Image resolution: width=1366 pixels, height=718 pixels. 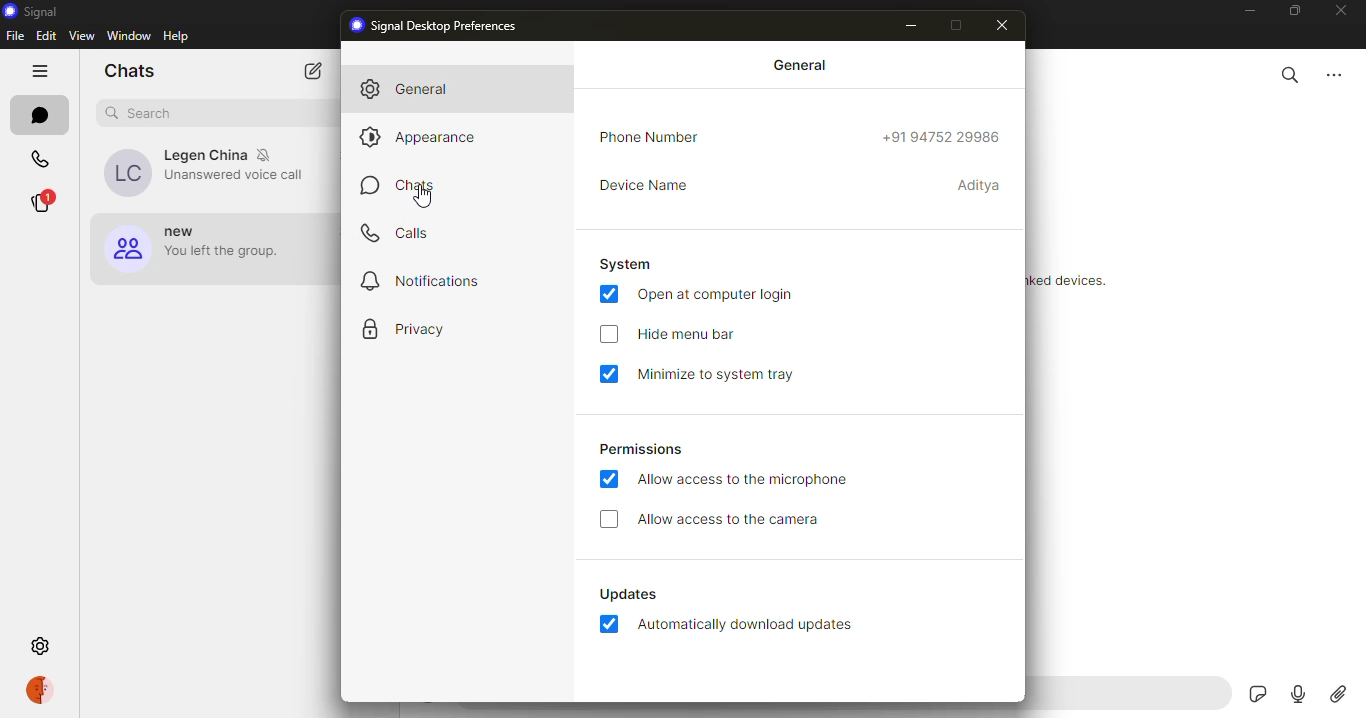 What do you see at coordinates (1257, 695) in the screenshot?
I see `sticker` at bounding box center [1257, 695].